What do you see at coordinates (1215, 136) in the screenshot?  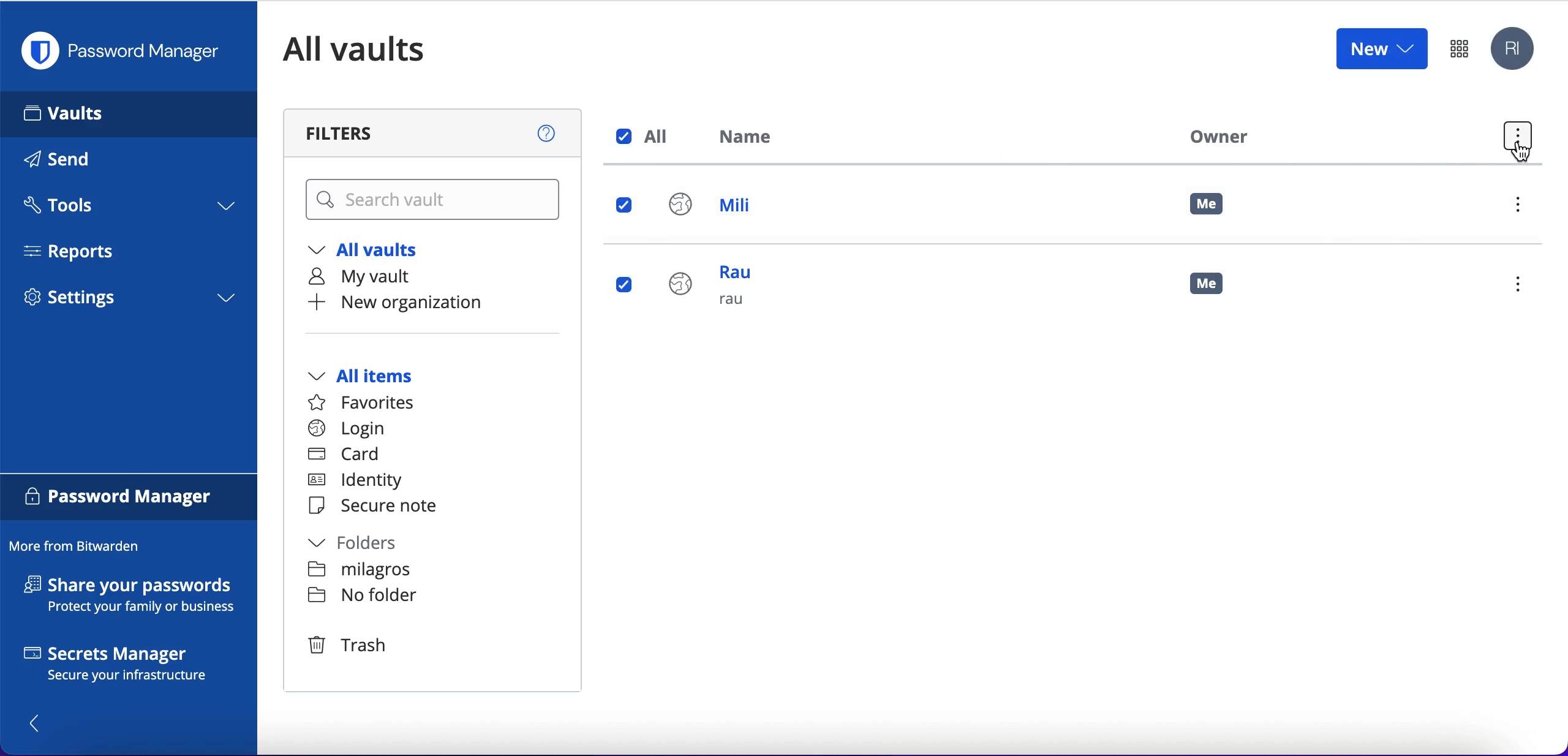 I see `owner` at bounding box center [1215, 136].